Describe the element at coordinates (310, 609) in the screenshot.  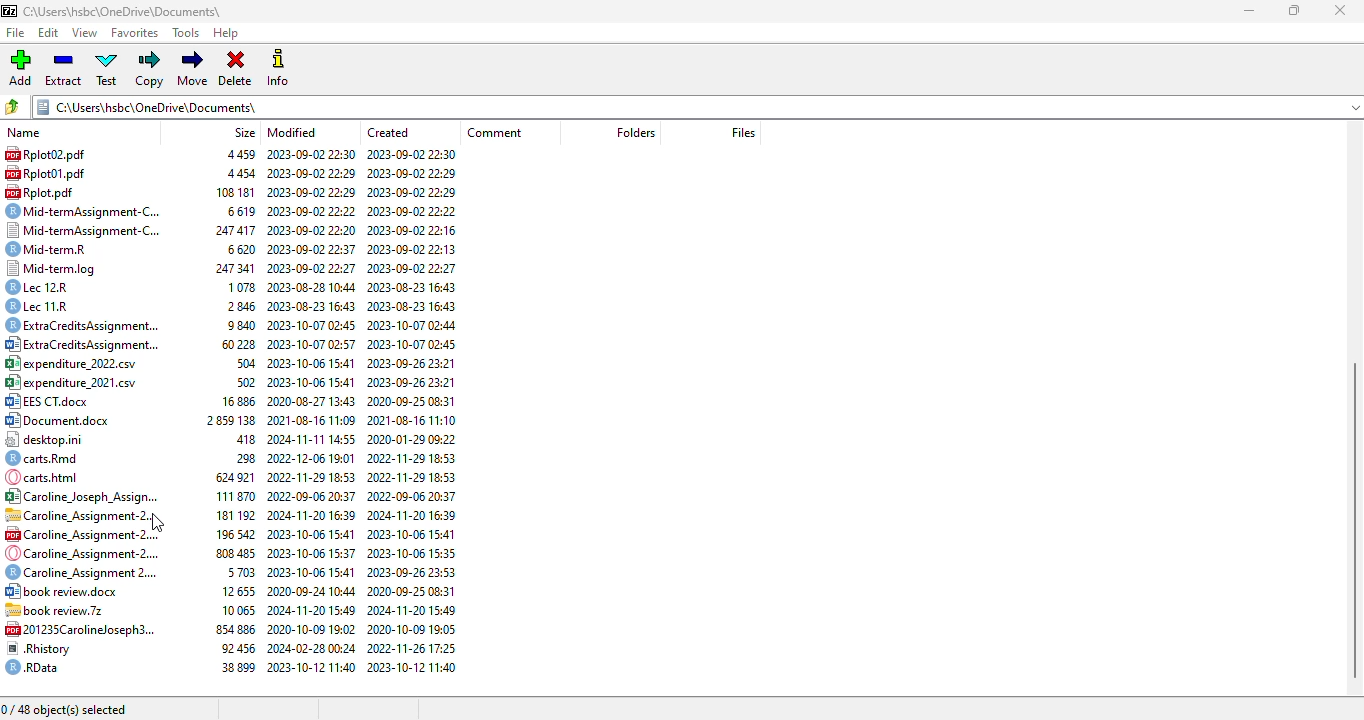
I see `2024-11-20 15:49` at that location.